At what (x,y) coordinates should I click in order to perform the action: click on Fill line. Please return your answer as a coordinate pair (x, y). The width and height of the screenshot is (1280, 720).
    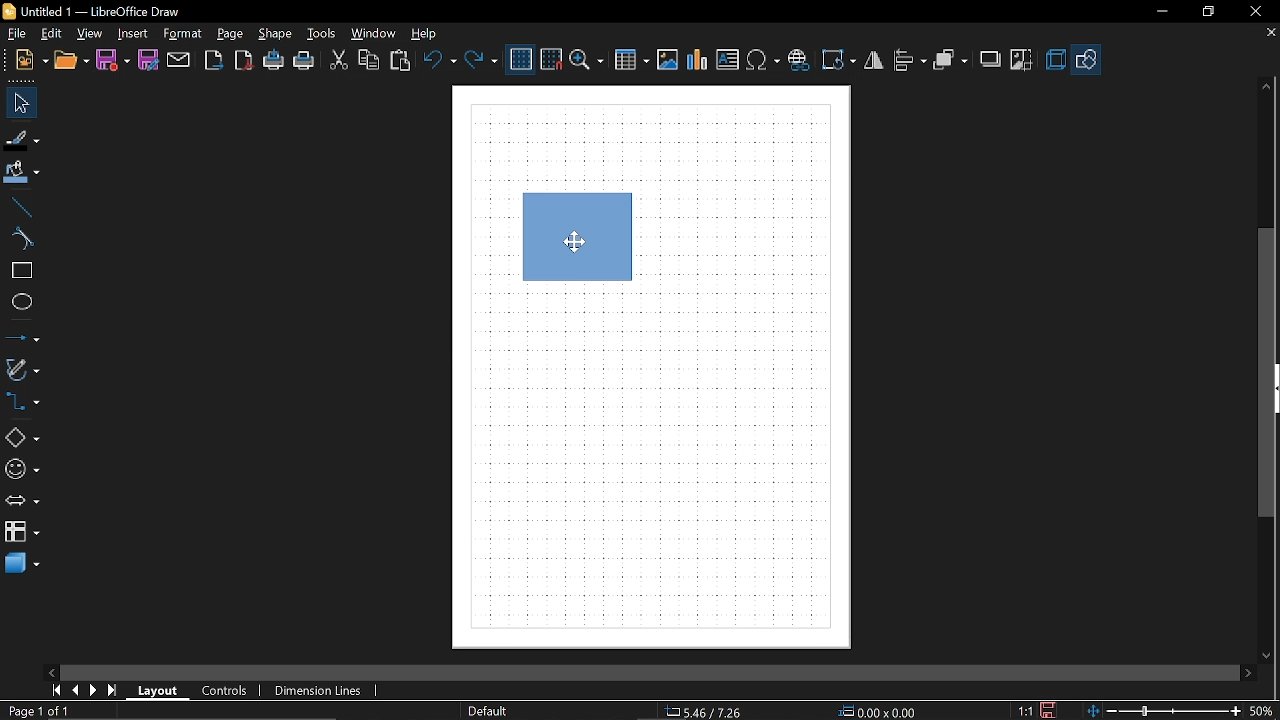
    Looking at the image, I should click on (23, 140).